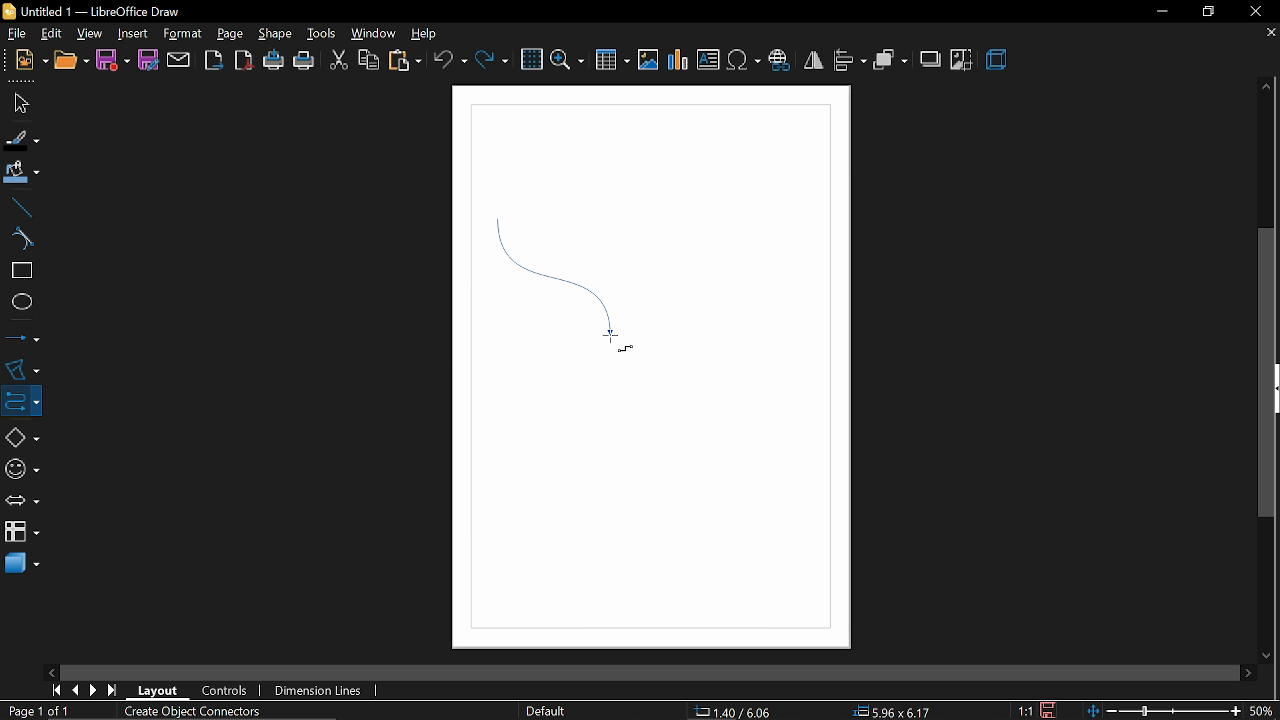 The width and height of the screenshot is (1280, 720). What do you see at coordinates (546, 712) in the screenshot?
I see `Default` at bounding box center [546, 712].